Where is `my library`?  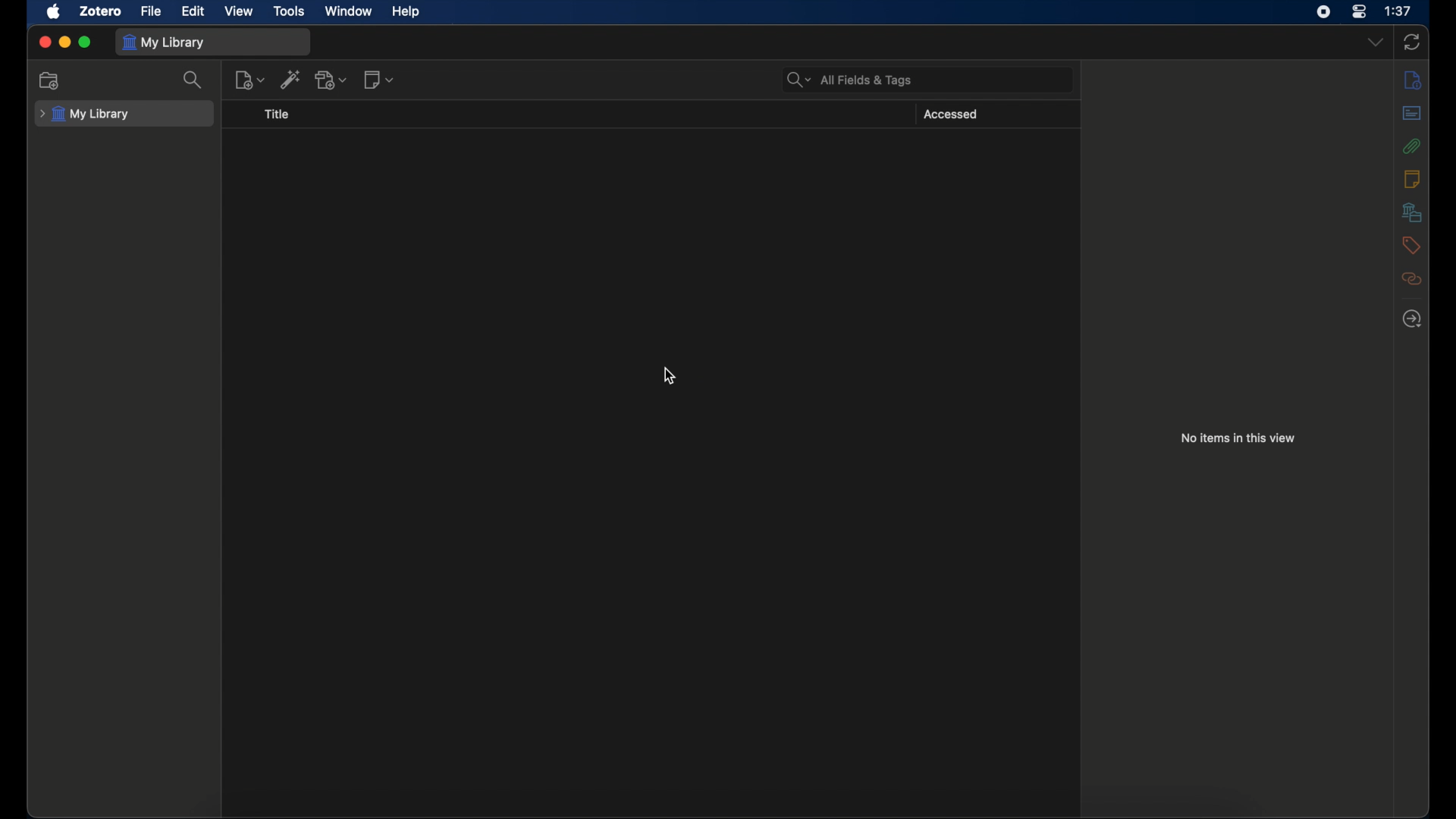
my library is located at coordinates (167, 43).